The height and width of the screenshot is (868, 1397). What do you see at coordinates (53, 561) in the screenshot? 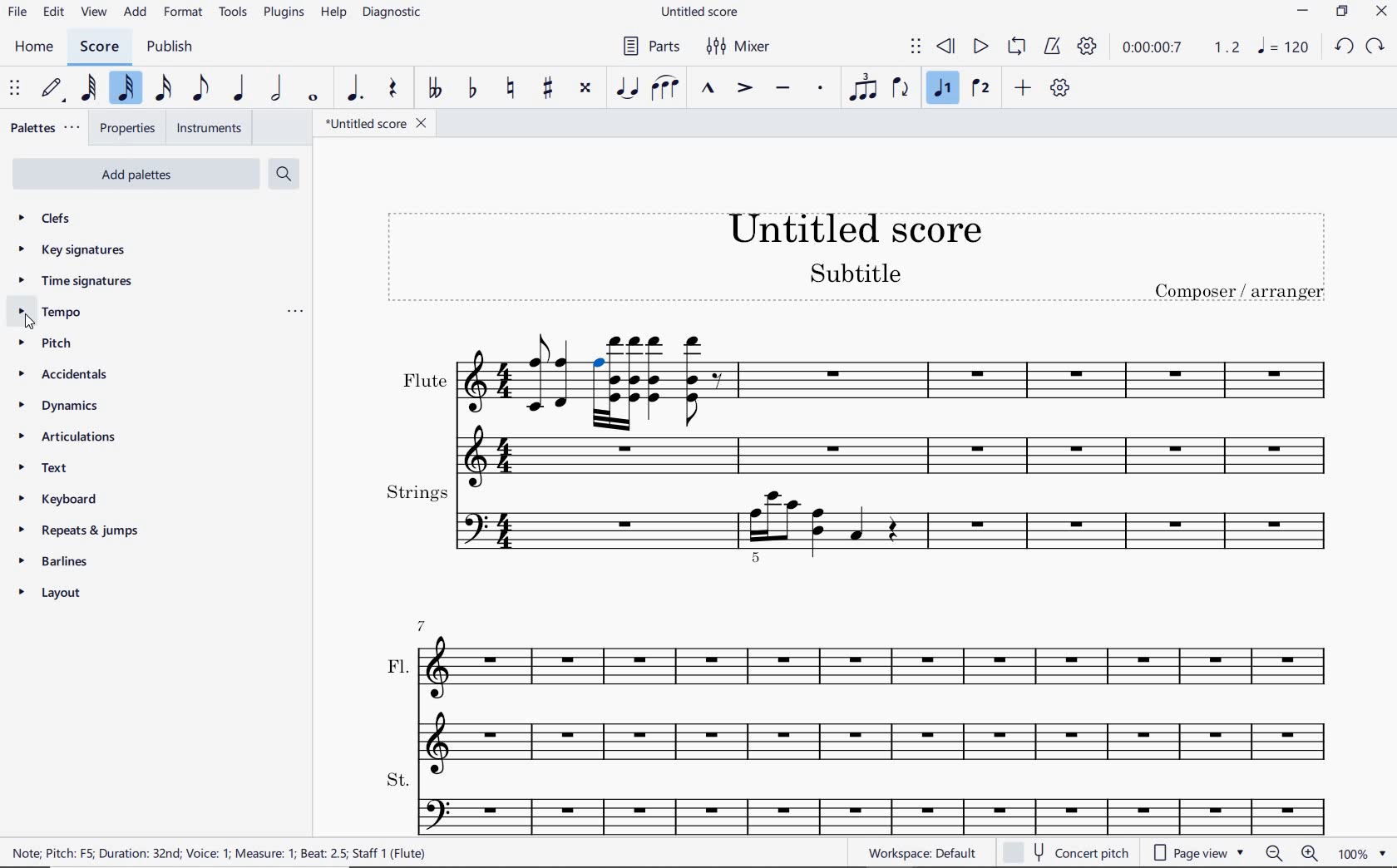
I see `barlines` at bounding box center [53, 561].